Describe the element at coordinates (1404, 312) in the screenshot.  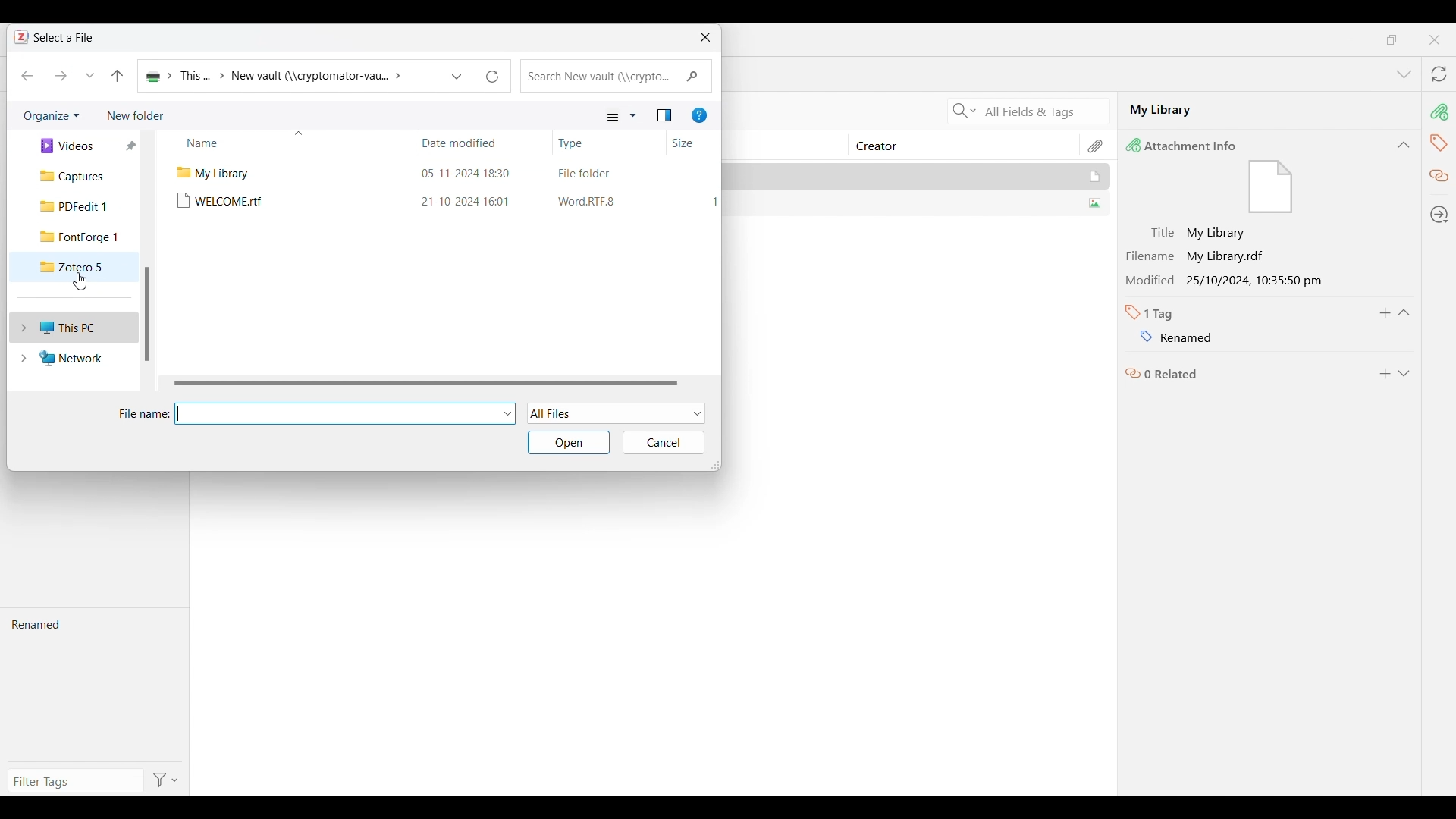
I see `Collapse` at that location.